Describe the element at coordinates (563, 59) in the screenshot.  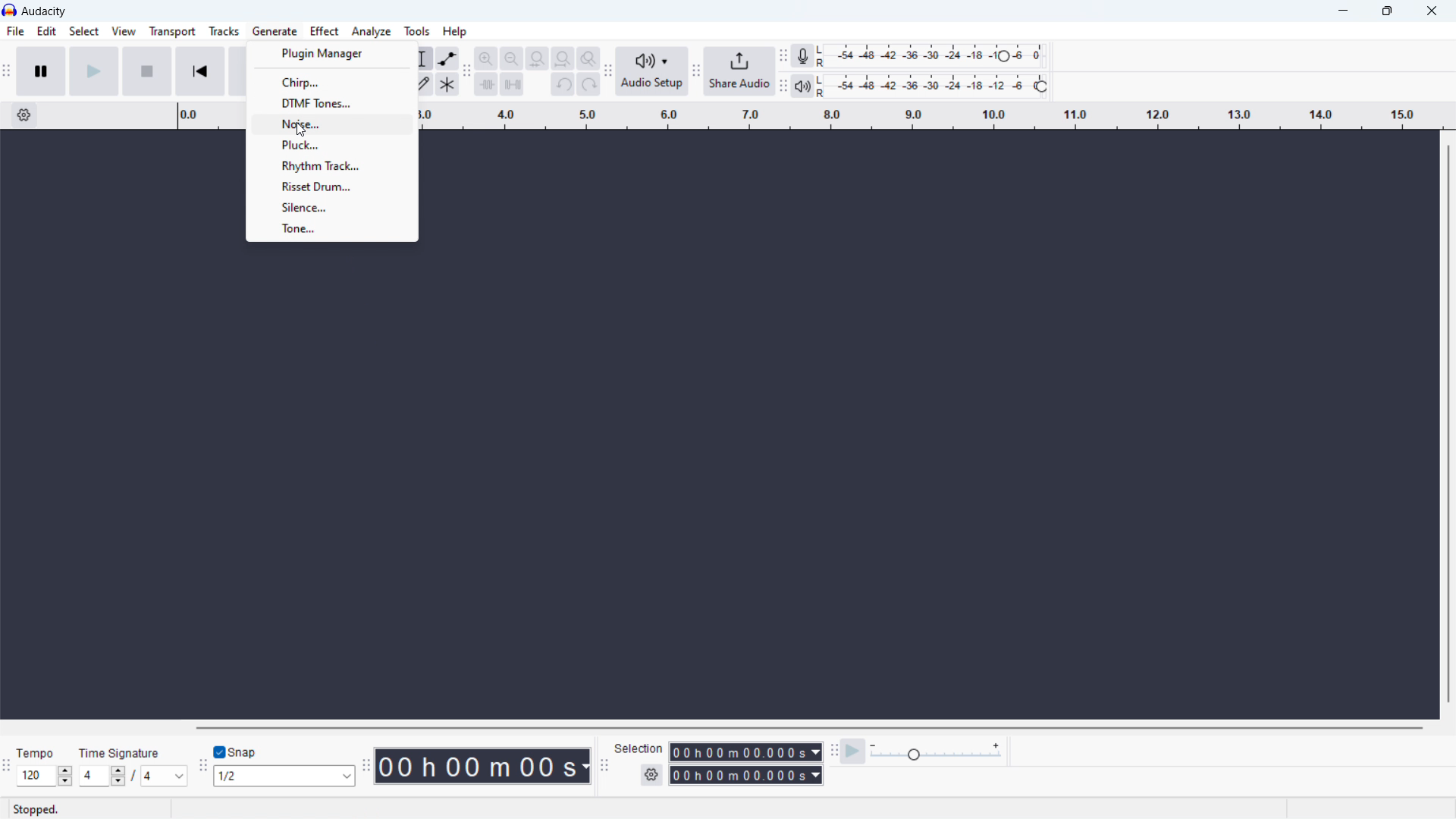
I see `fit project to width` at that location.